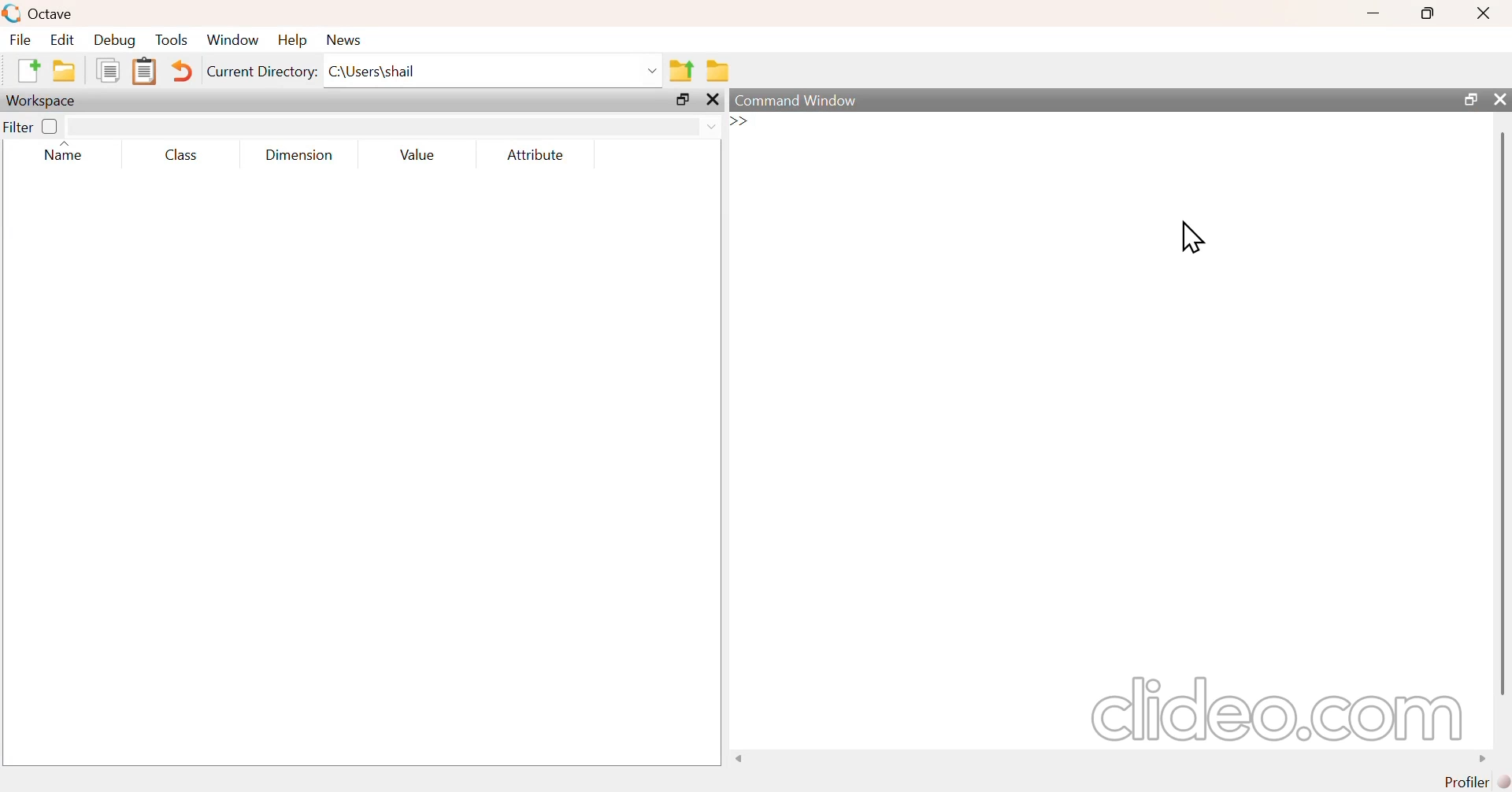 This screenshot has height=792, width=1512. Describe the element at coordinates (1488, 13) in the screenshot. I see `close` at that location.